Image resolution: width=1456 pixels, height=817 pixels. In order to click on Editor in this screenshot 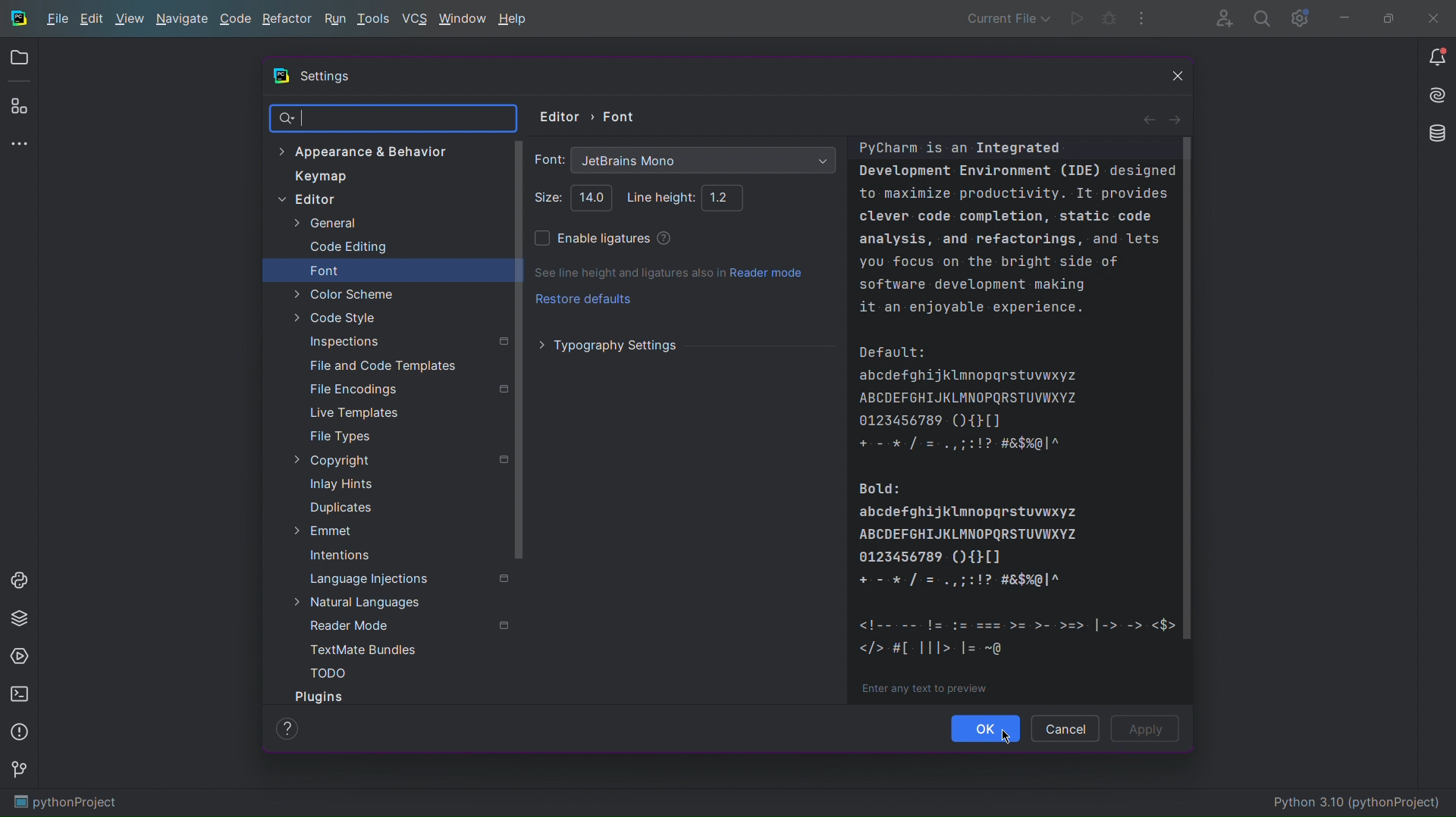, I will do `click(304, 200)`.